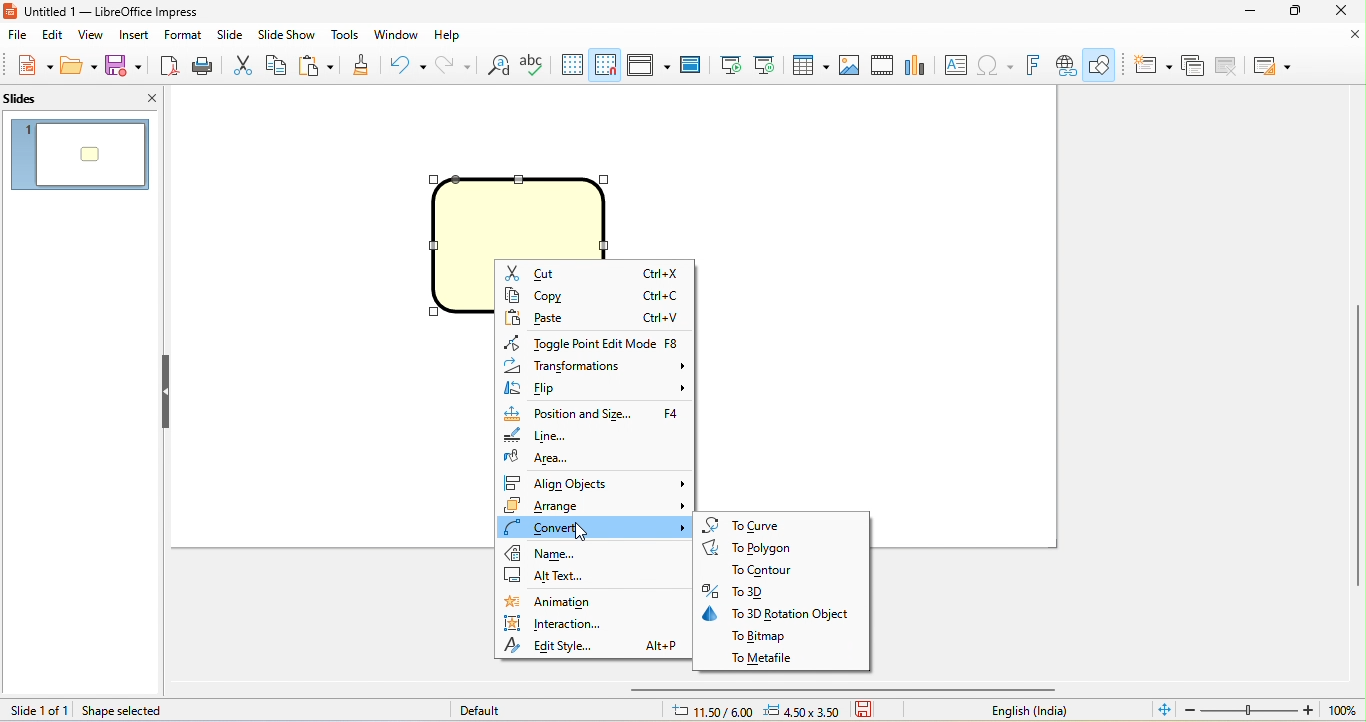  I want to click on default, so click(479, 710).